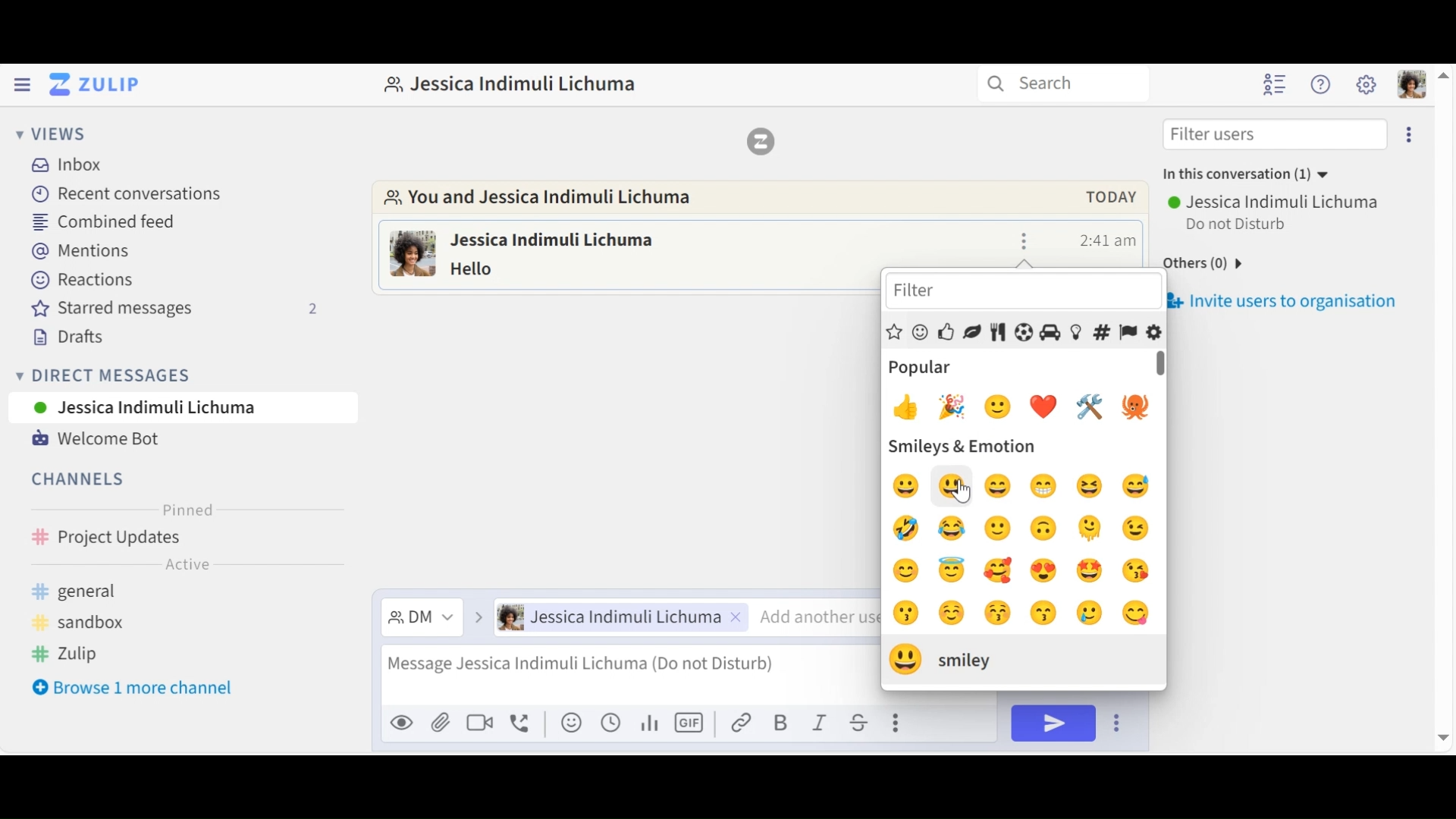 The width and height of the screenshot is (1456, 819). What do you see at coordinates (183, 406) in the screenshot?
I see `User` at bounding box center [183, 406].